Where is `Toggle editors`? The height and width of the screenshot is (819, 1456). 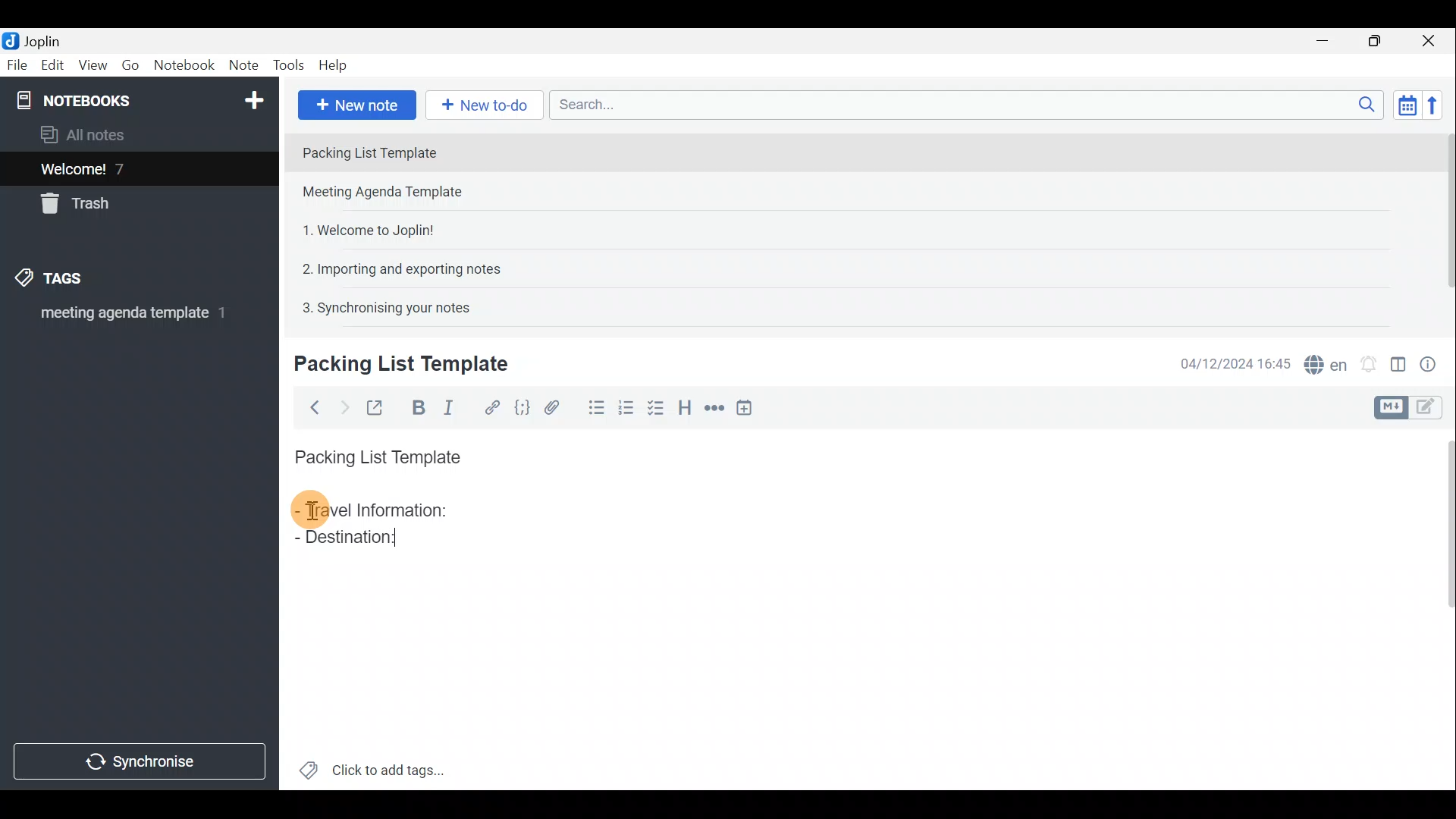 Toggle editors is located at coordinates (1393, 406).